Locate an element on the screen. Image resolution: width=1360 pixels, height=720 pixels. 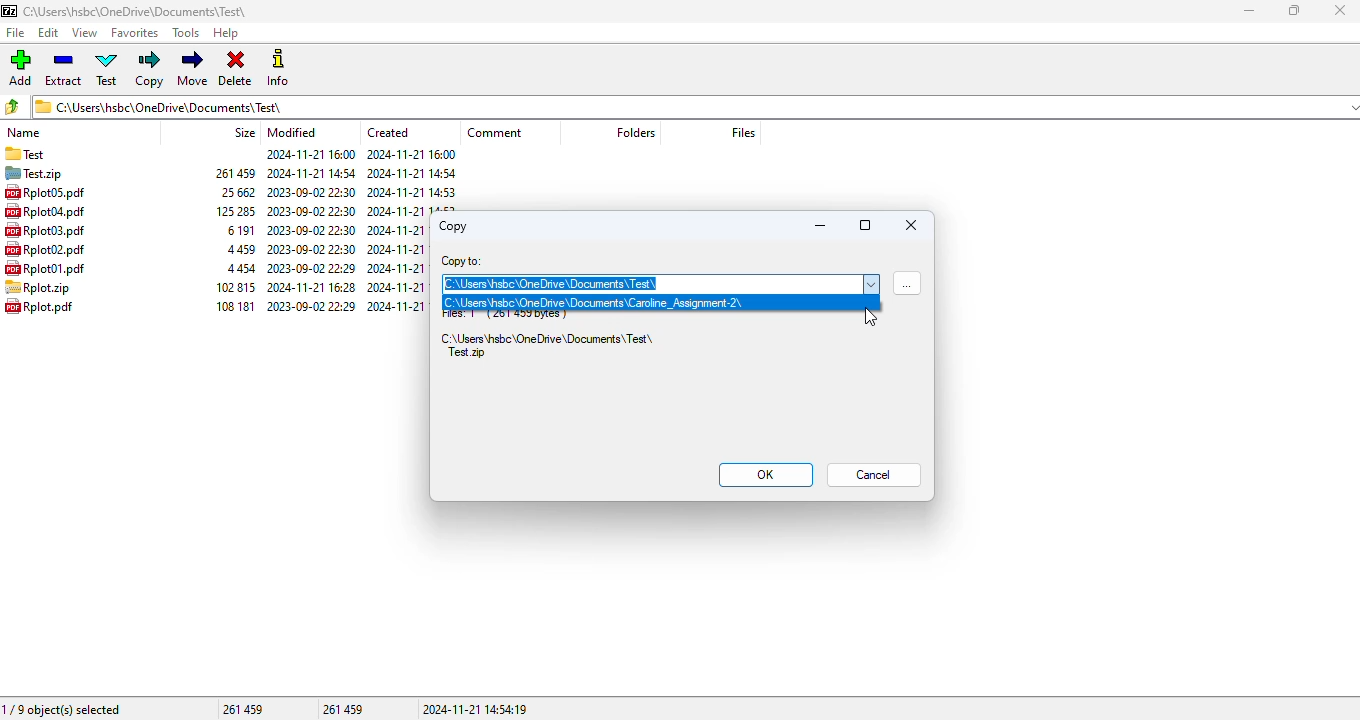
favorites is located at coordinates (135, 33).